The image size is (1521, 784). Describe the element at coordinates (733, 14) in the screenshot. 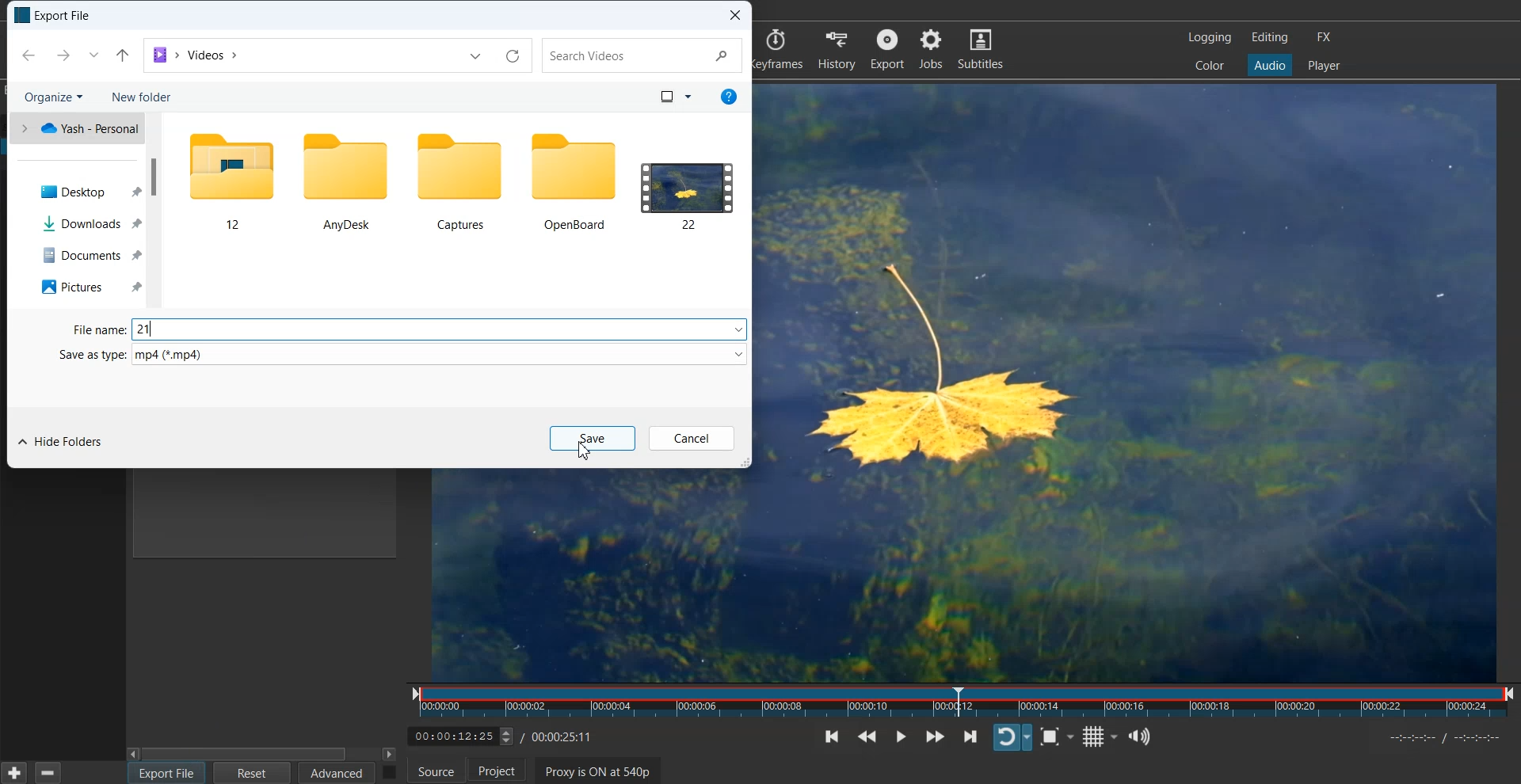

I see `Close` at that location.